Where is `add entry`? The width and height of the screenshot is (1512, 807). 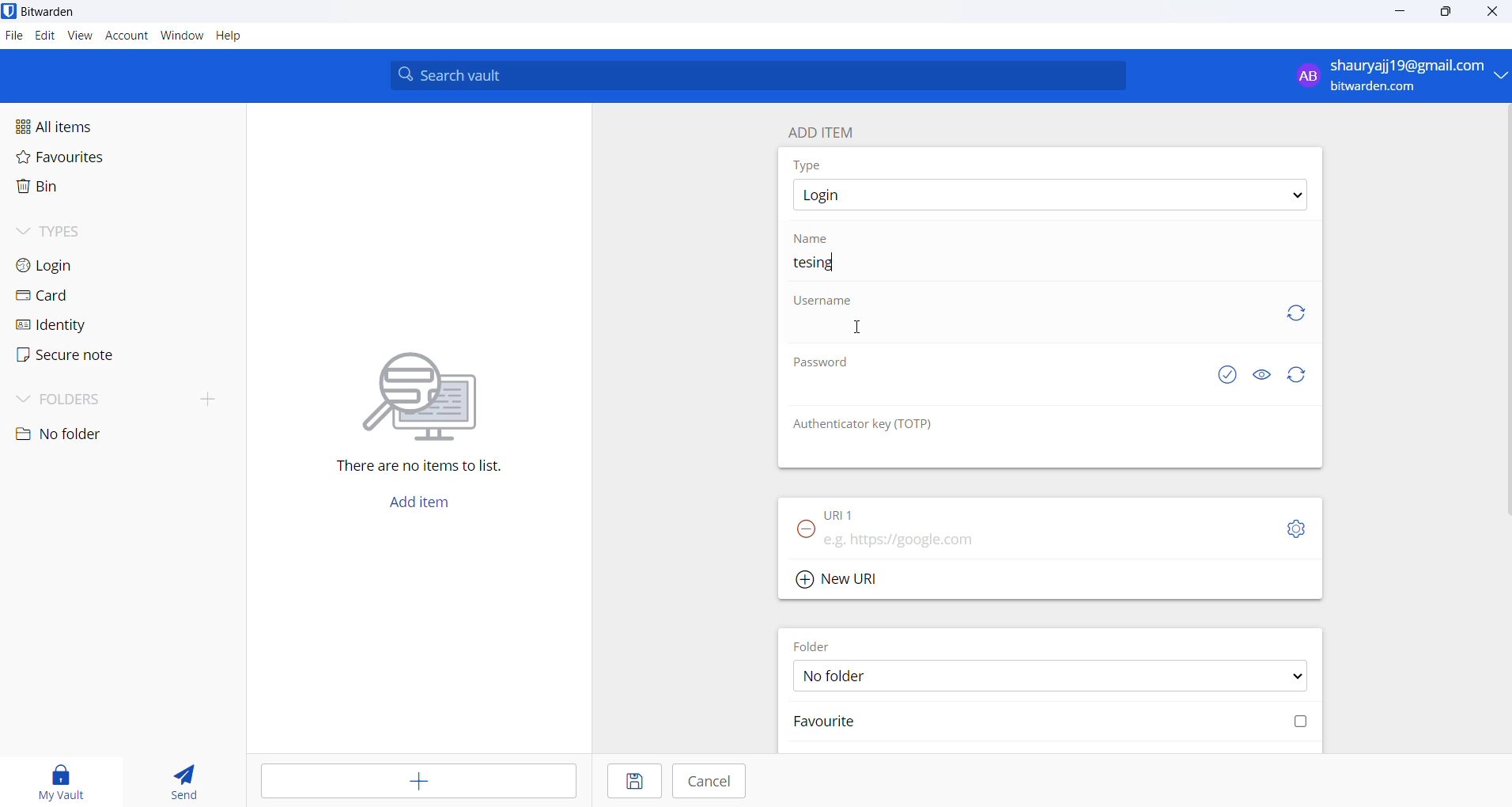
add entry is located at coordinates (421, 782).